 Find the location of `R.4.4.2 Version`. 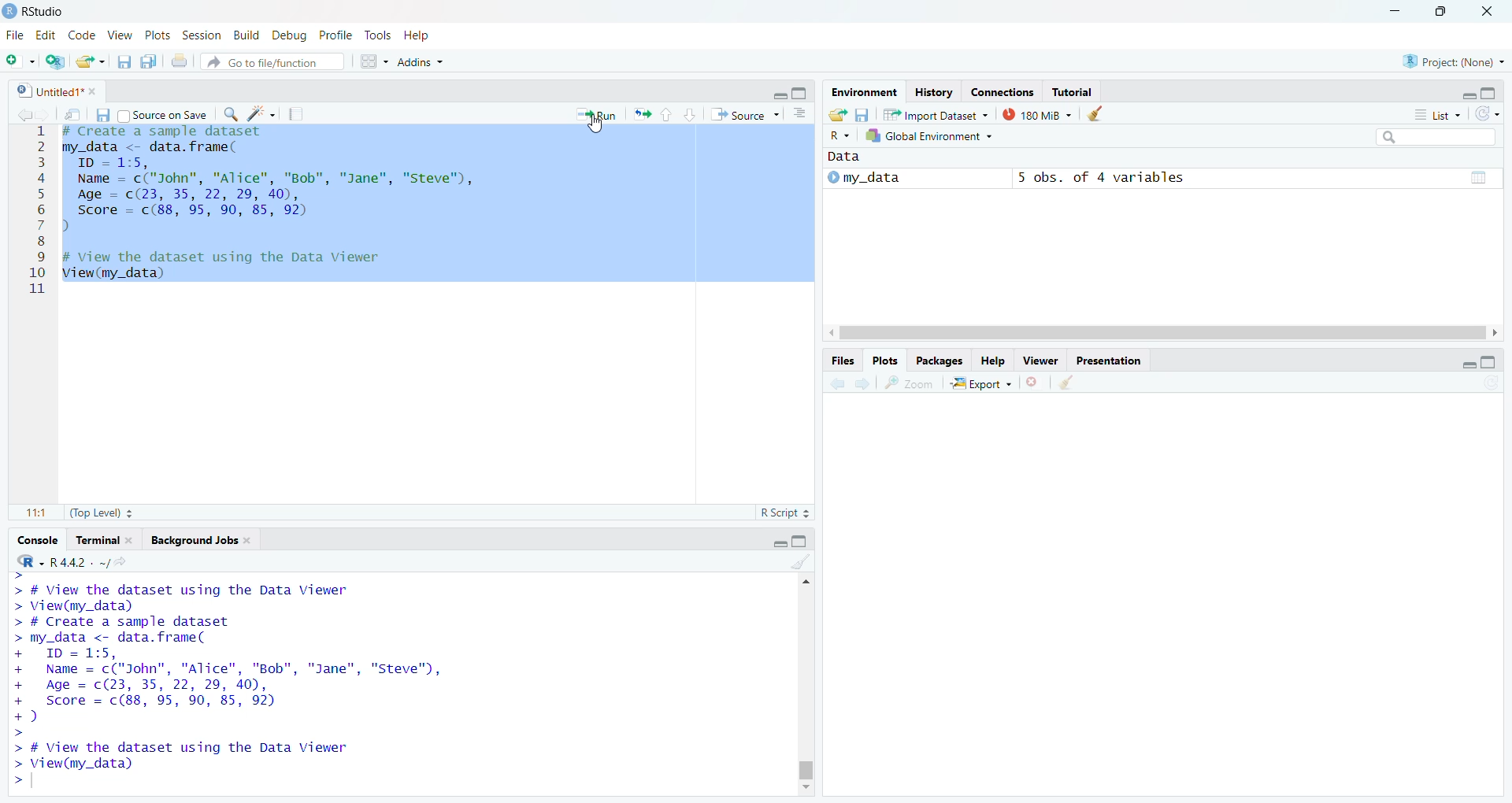

R.4.4.2 Version is located at coordinates (75, 561).